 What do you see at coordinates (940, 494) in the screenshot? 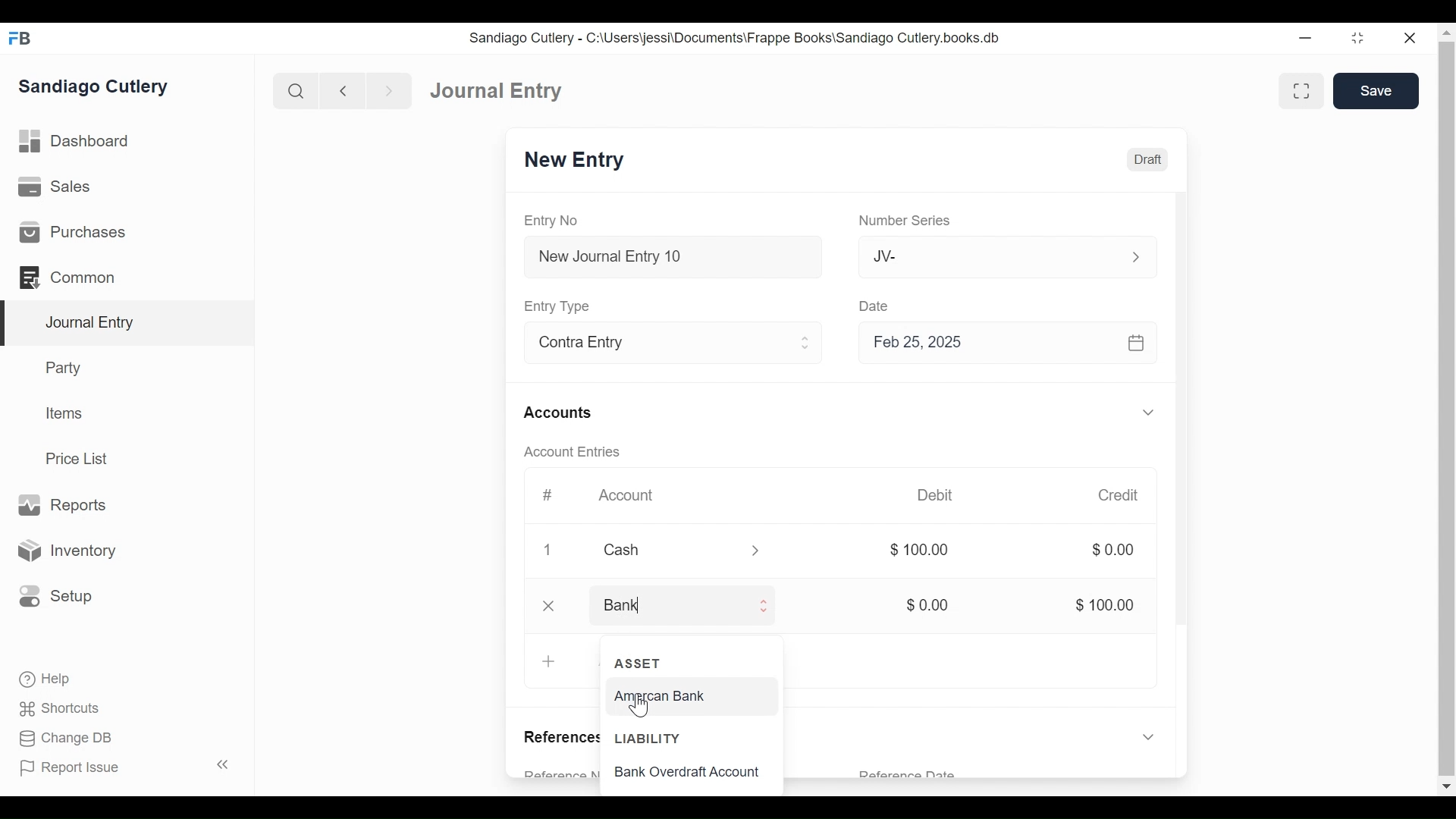
I see `Debit` at bounding box center [940, 494].